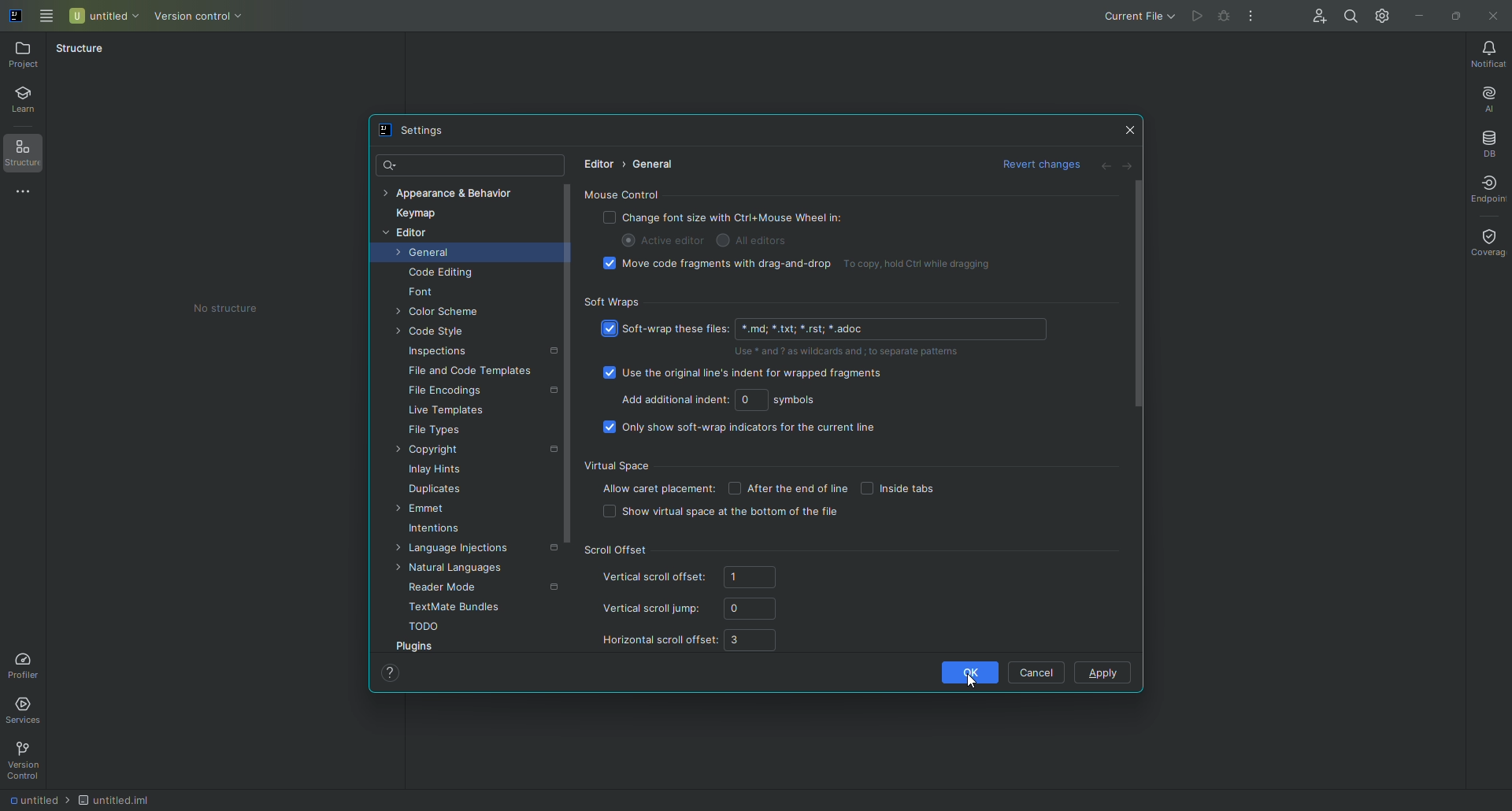  Describe the element at coordinates (723, 402) in the screenshot. I see `Add additional indent` at that location.